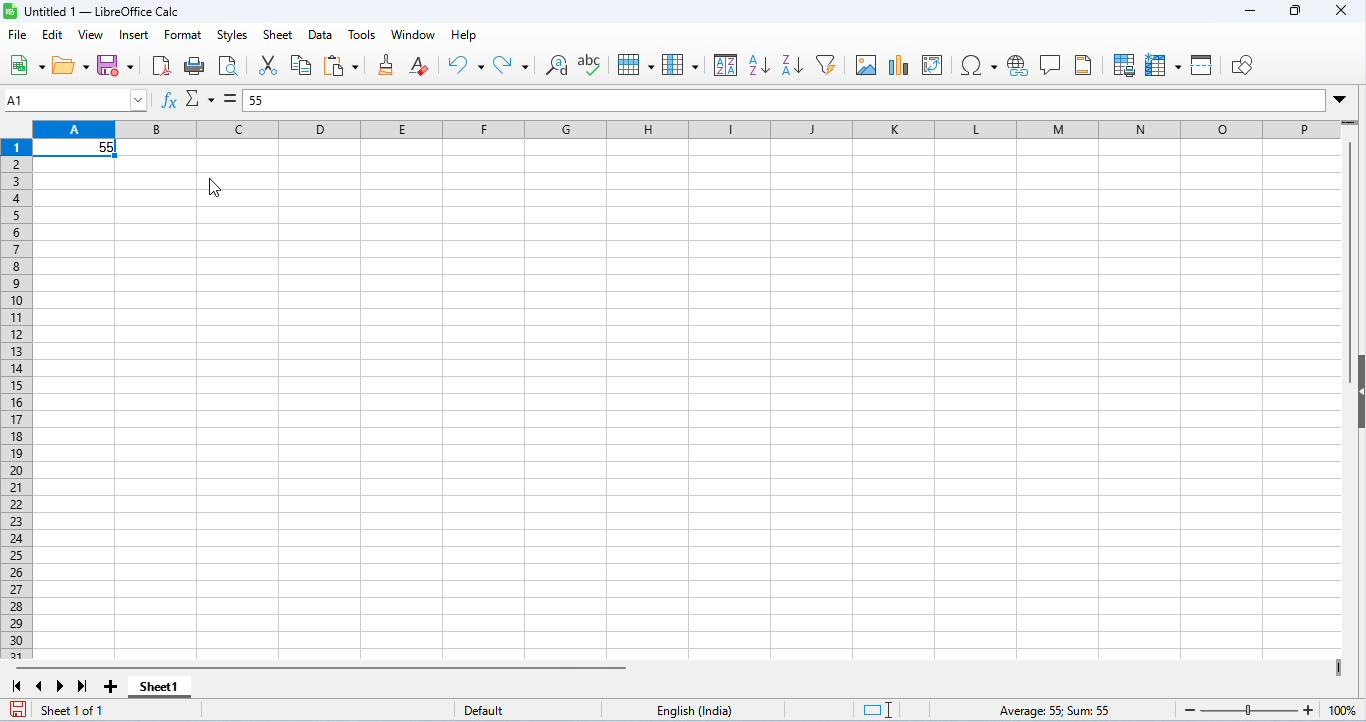  I want to click on minimize, so click(1247, 13).